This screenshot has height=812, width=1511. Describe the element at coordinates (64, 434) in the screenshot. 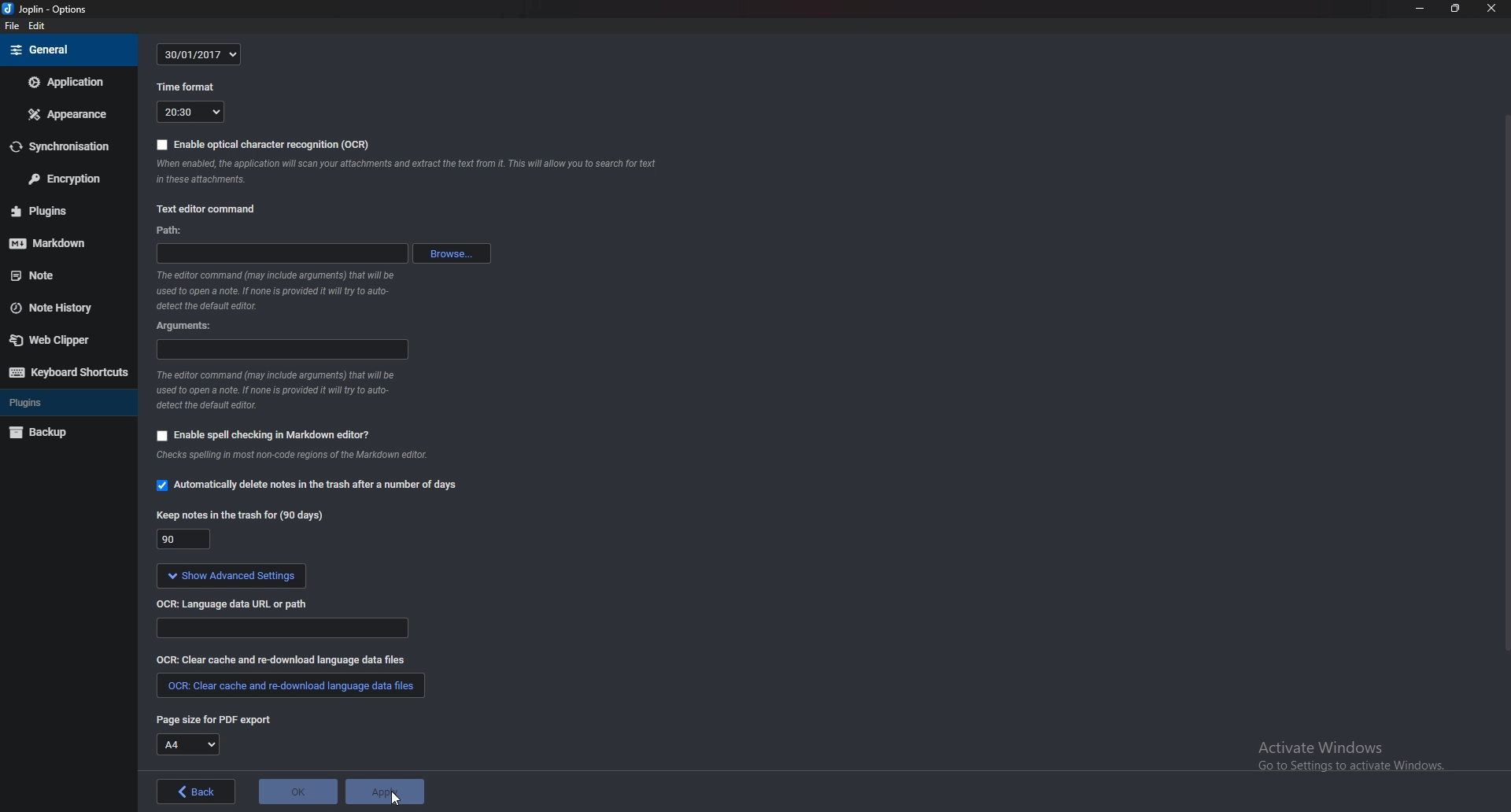

I see `Back up` at that location.